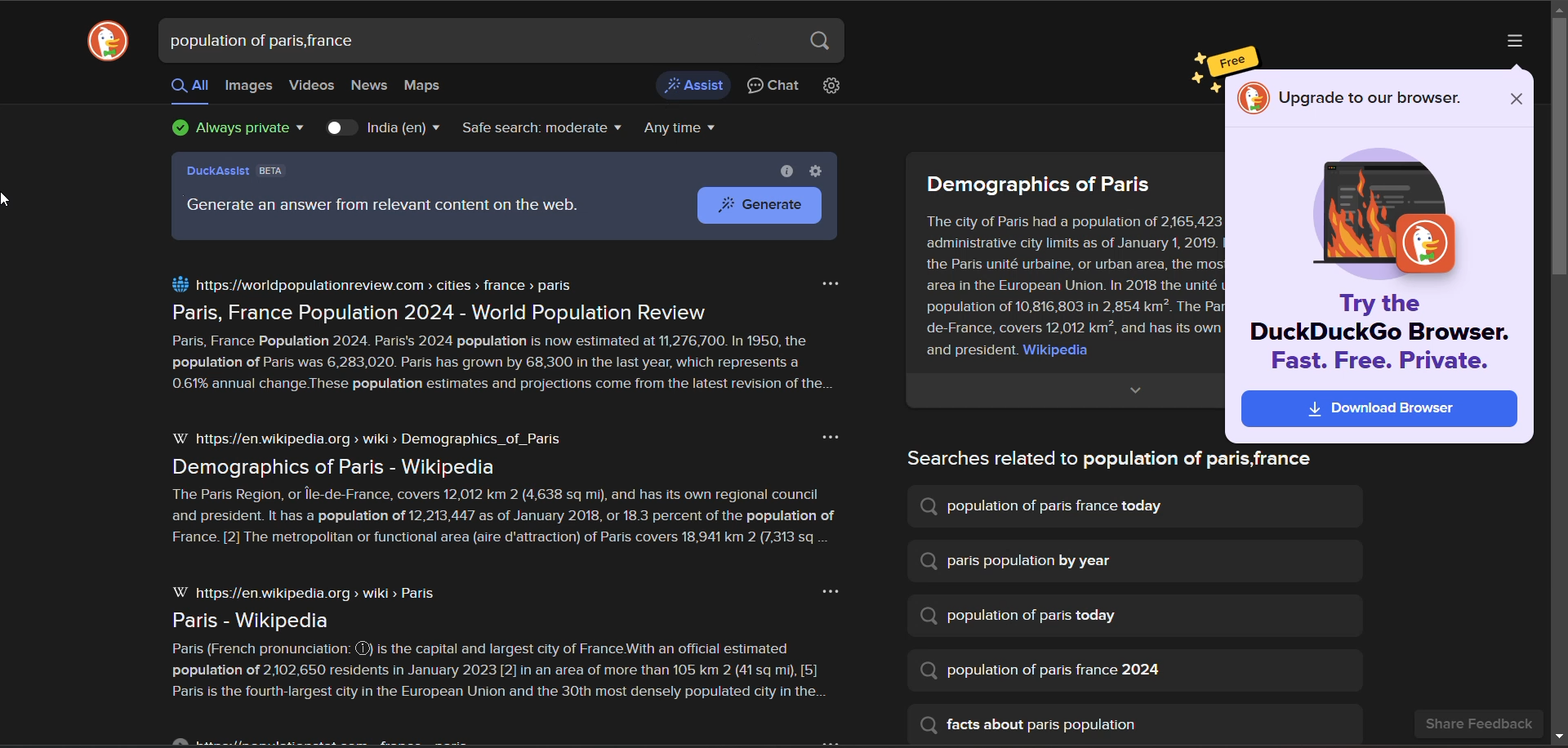 This screenshot has height=748, width=1568. I want to click on share feedback, so click(1481, 724).